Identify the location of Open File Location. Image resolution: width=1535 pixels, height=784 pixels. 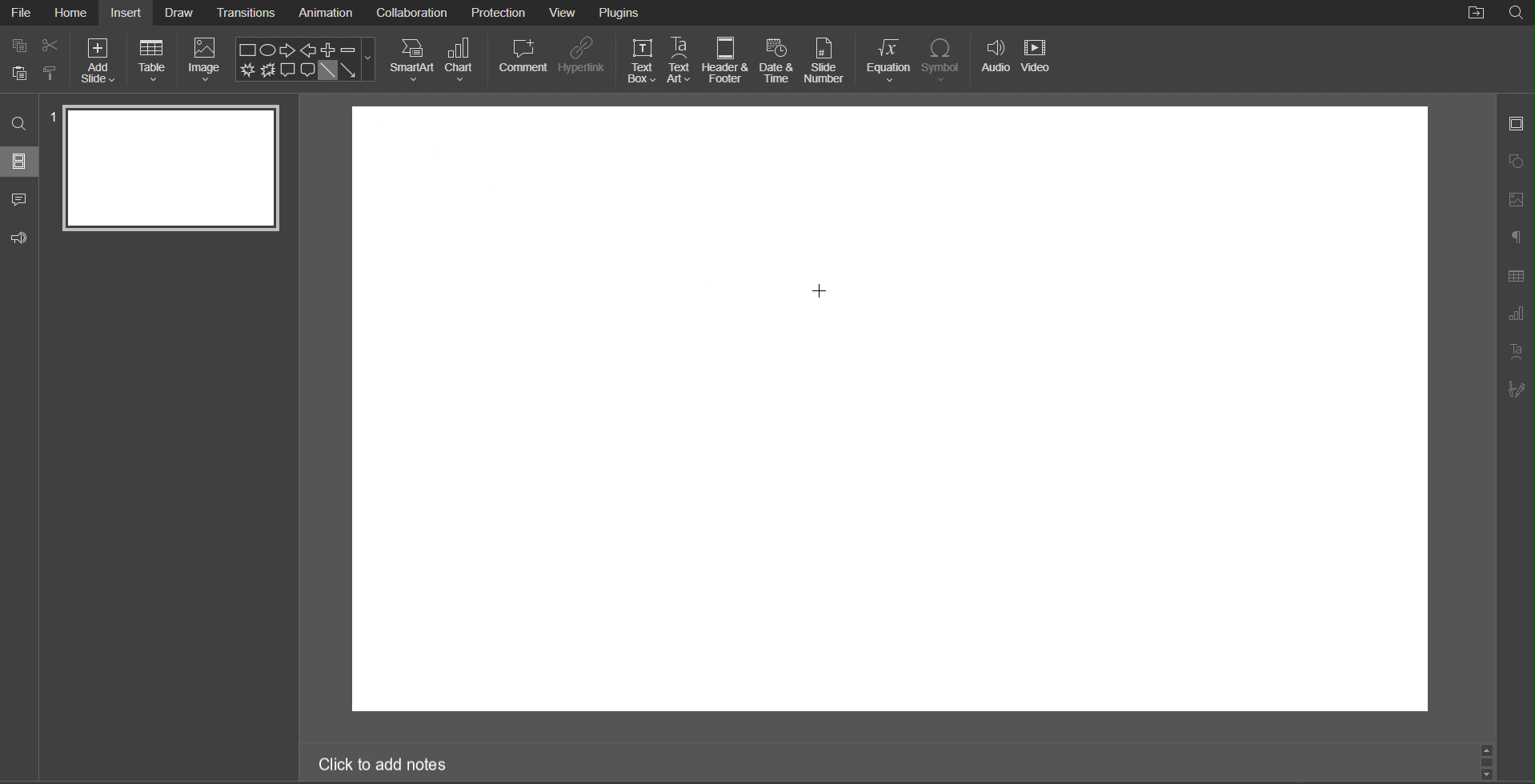
(1477, 14).